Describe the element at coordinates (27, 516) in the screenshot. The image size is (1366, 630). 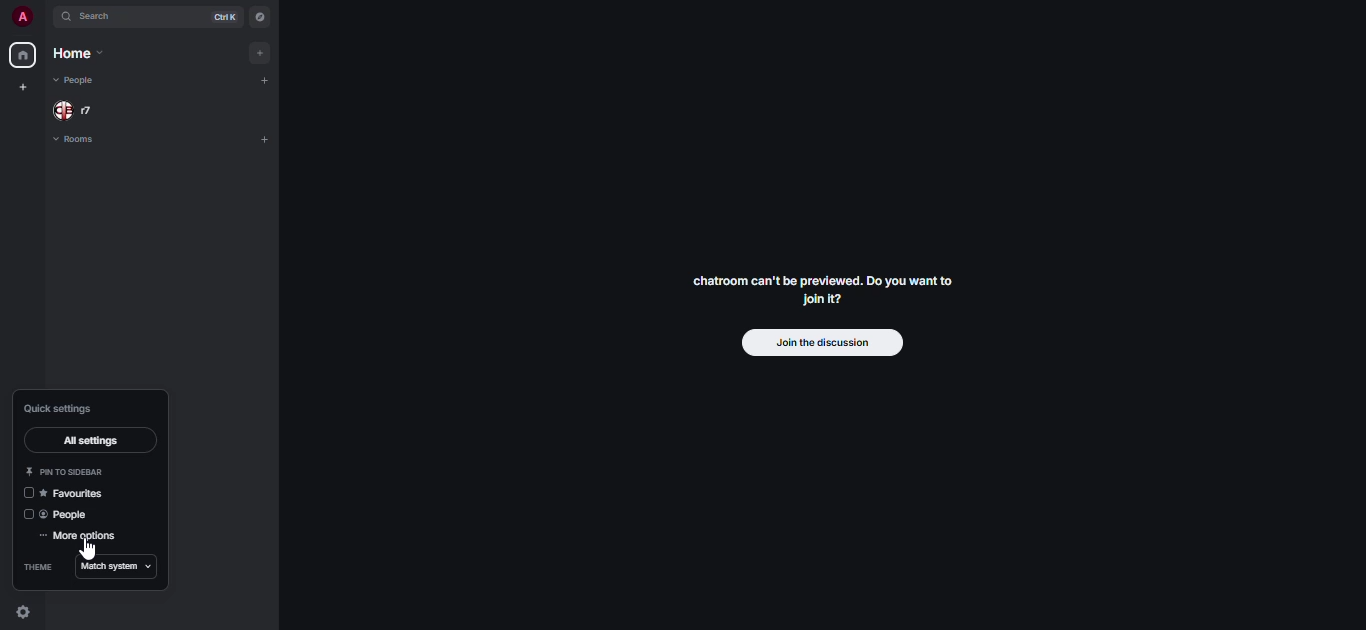
I see `click to enable` at that location.